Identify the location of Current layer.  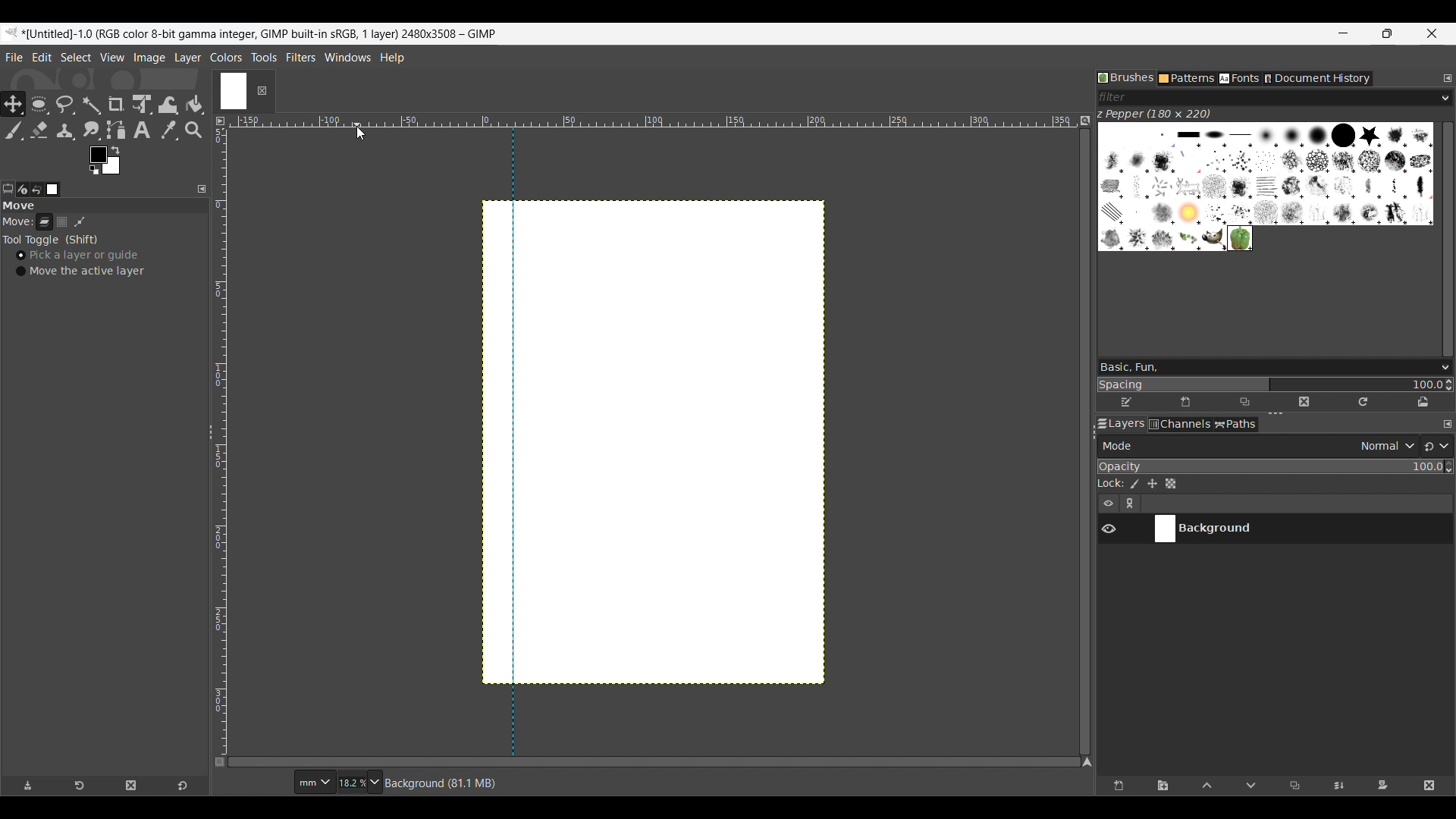
(1286, 529).